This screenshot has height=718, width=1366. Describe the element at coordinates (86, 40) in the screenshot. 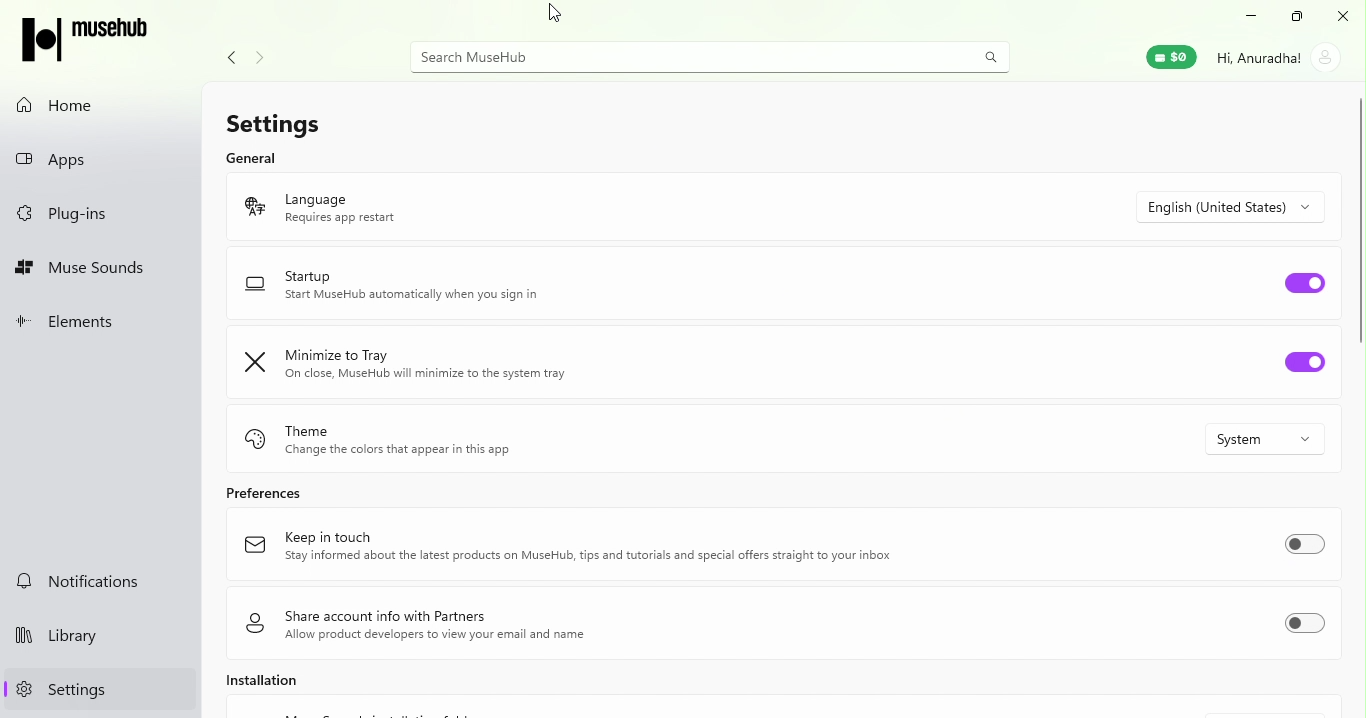

I see `MuseHub icon` at that location.